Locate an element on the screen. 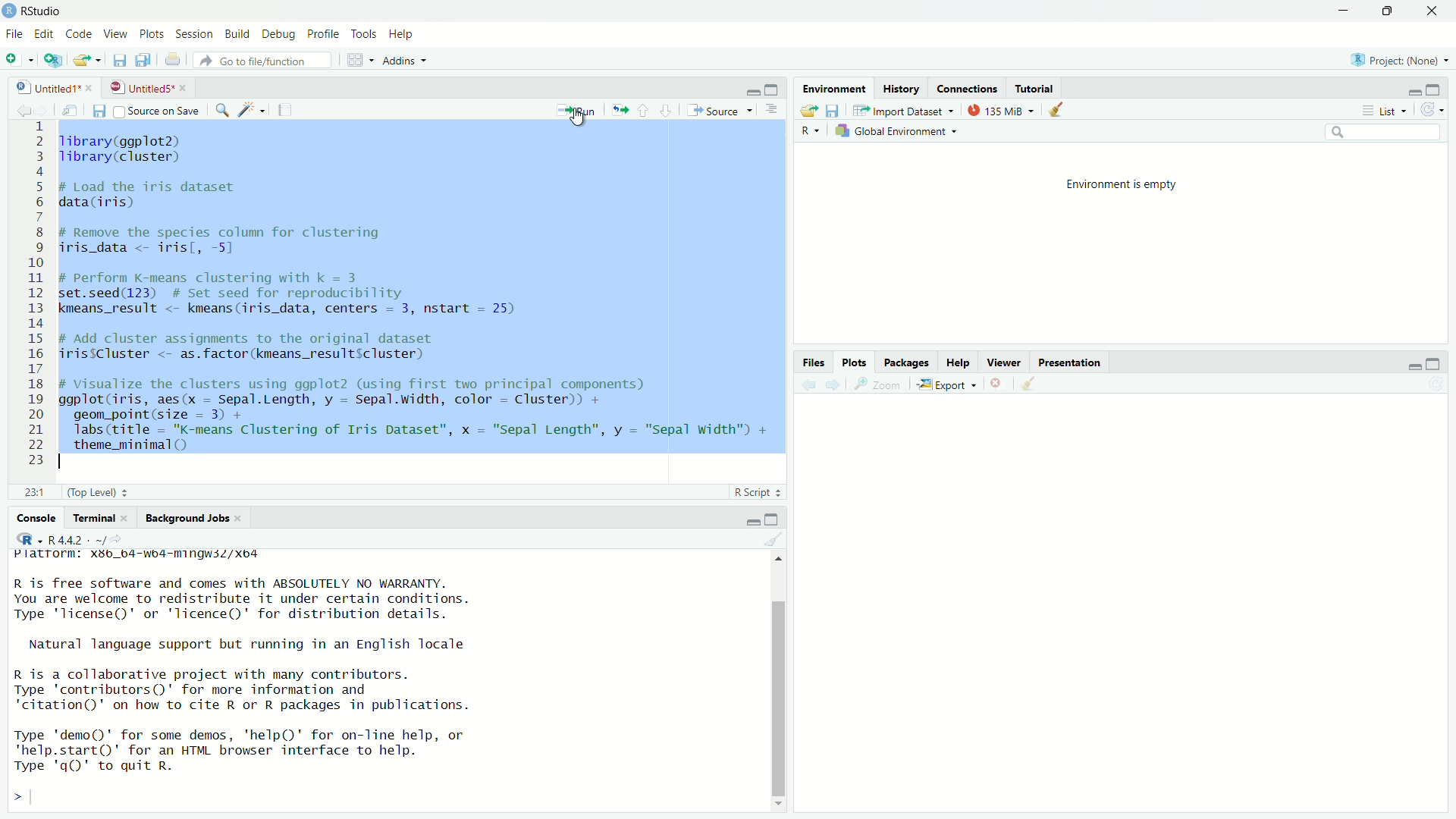 This screenshot has height=819, width=1456. create a project is located at coordinates (53, 60).